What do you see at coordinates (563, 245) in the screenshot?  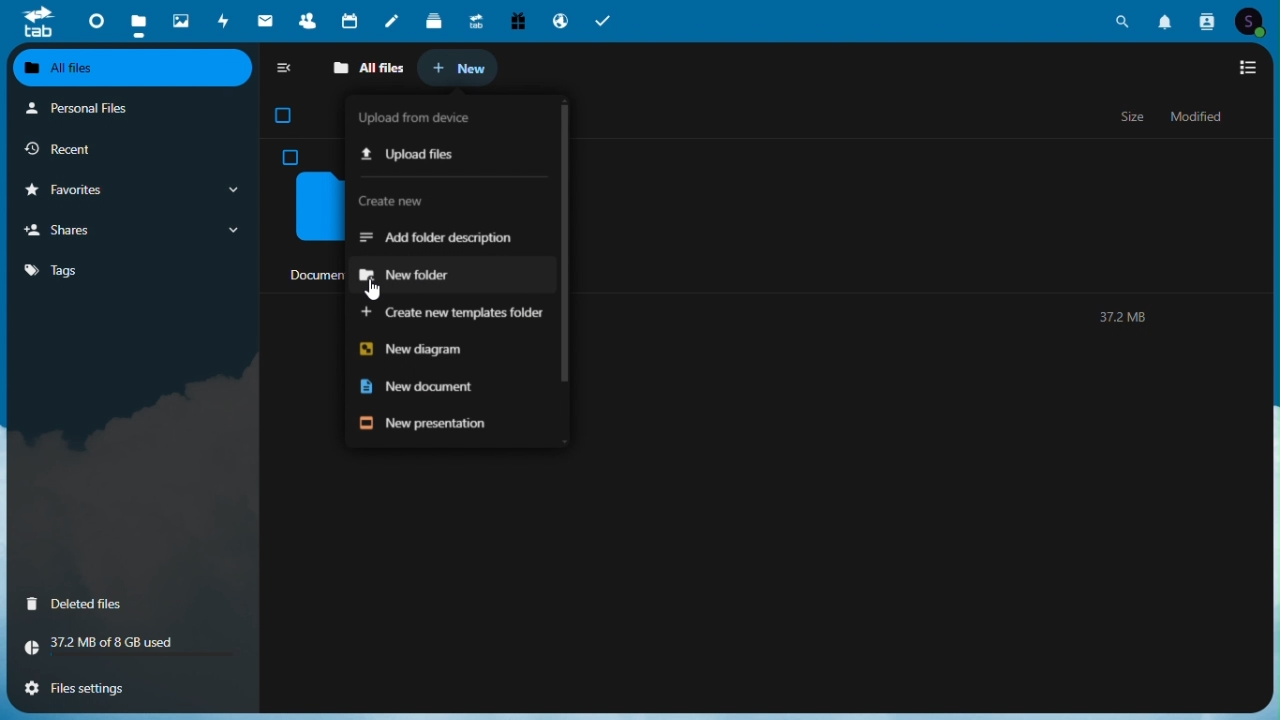 I see `Vertical scrollbar` at bounding box center [563, 245].